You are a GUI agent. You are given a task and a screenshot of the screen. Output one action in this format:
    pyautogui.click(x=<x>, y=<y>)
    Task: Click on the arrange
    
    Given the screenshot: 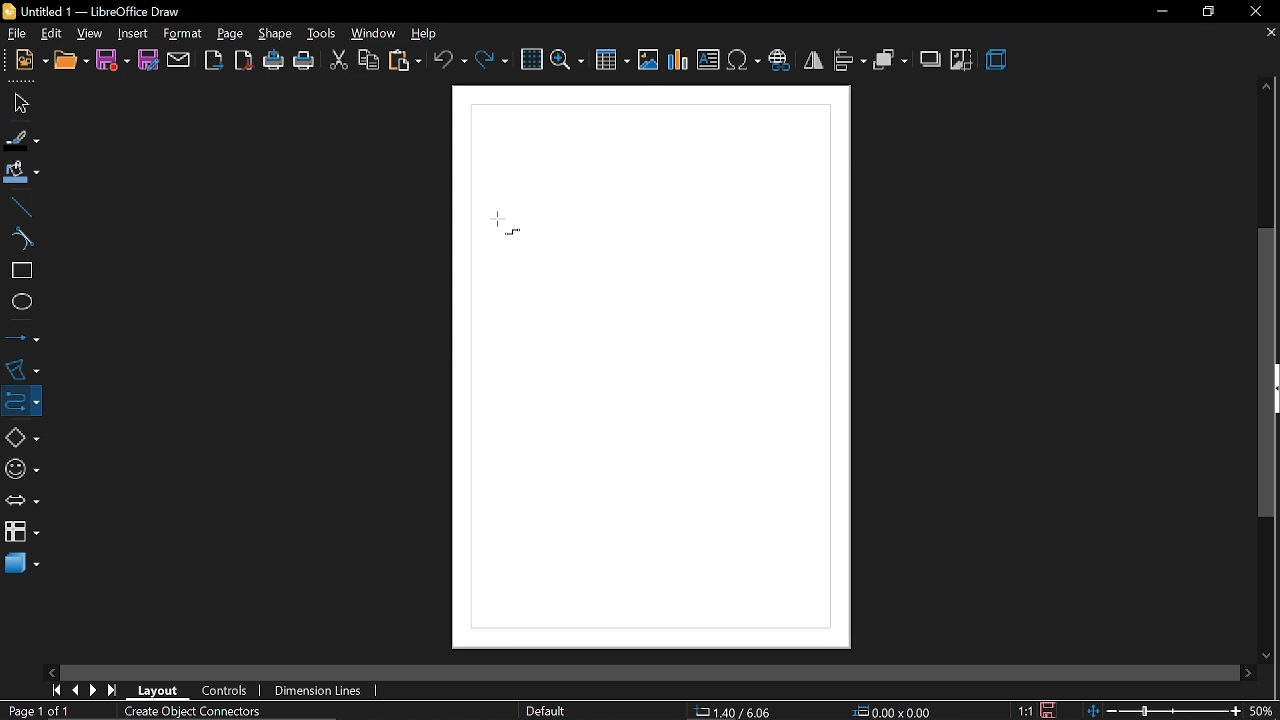 What is the action you would take?
    pyautogui.click(x=890, y=60)
    